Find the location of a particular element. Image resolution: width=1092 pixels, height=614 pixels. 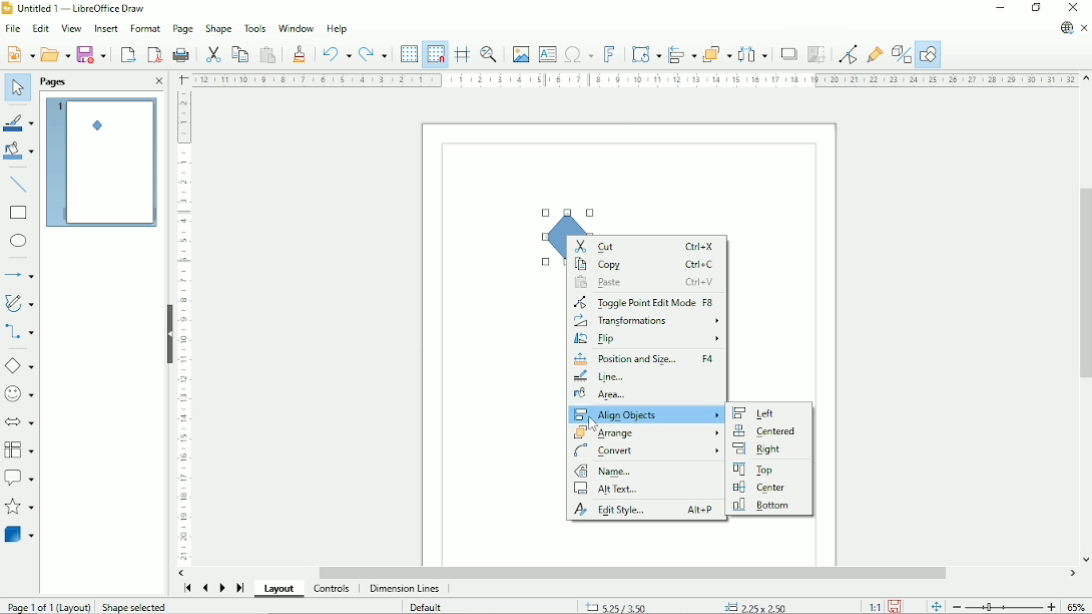

Window is located at coordinates (296, 27).